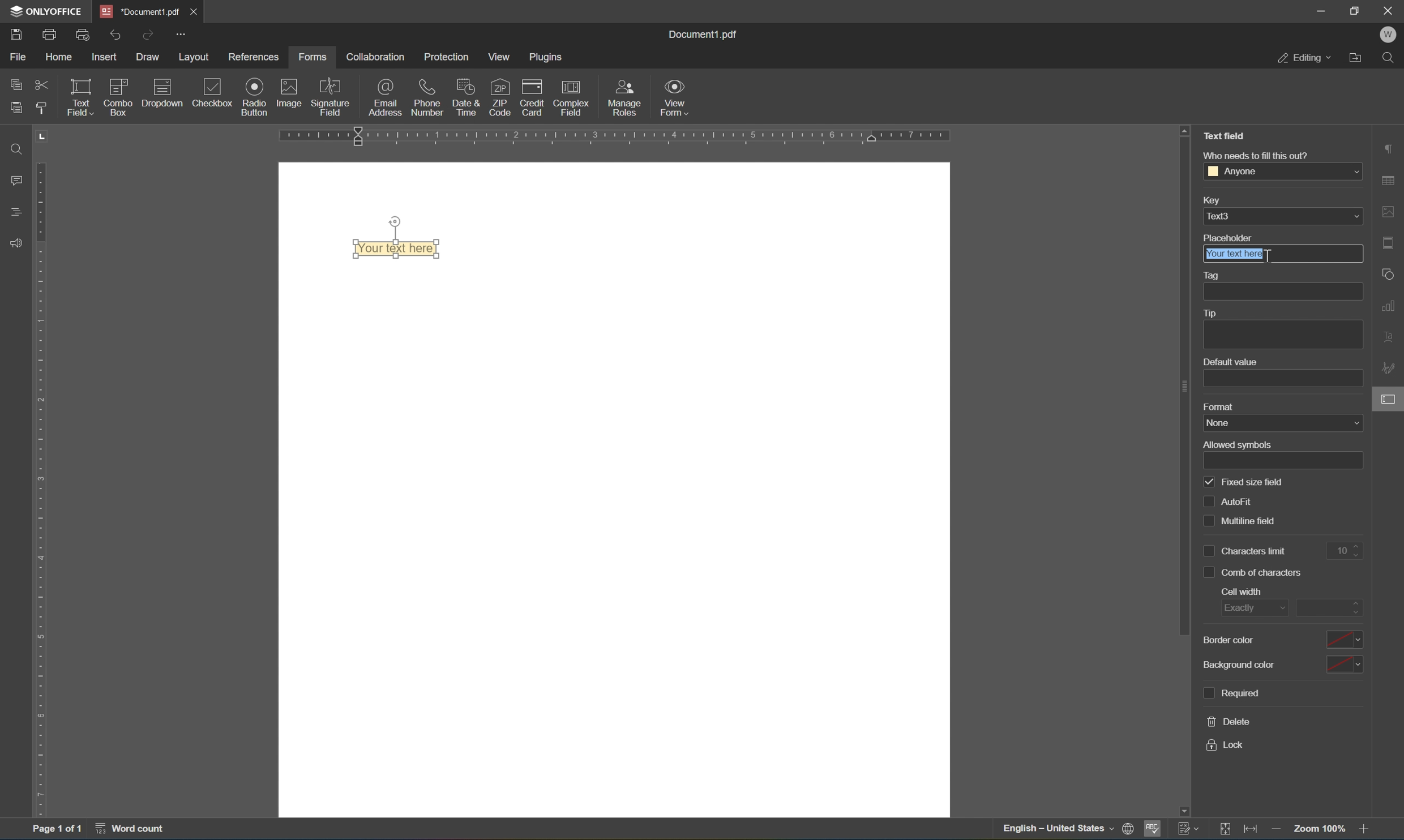 This screenshot has width=1404, height=840. I want to click on shape settings, so click(1388, 273).